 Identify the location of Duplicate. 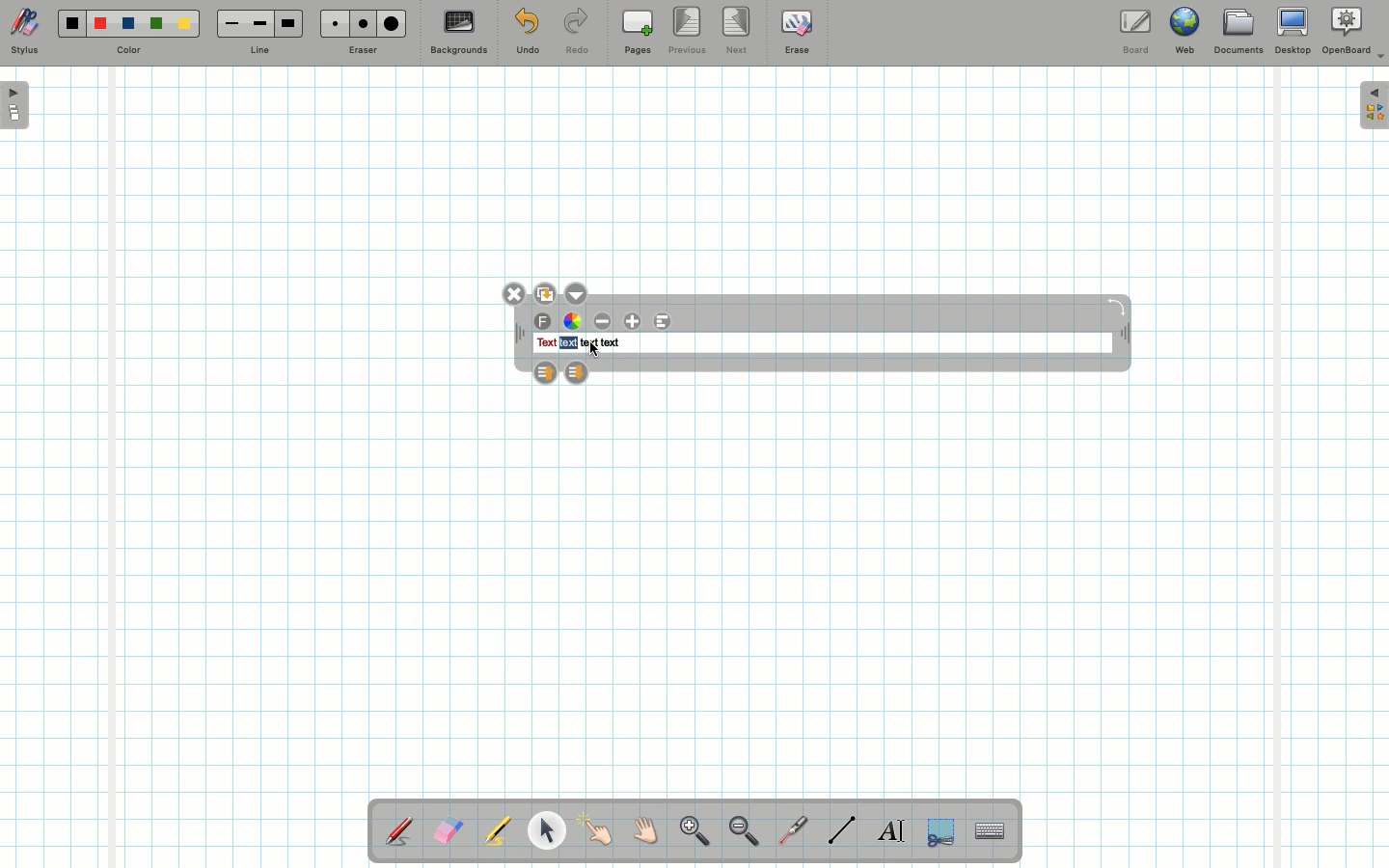
(544, 291).